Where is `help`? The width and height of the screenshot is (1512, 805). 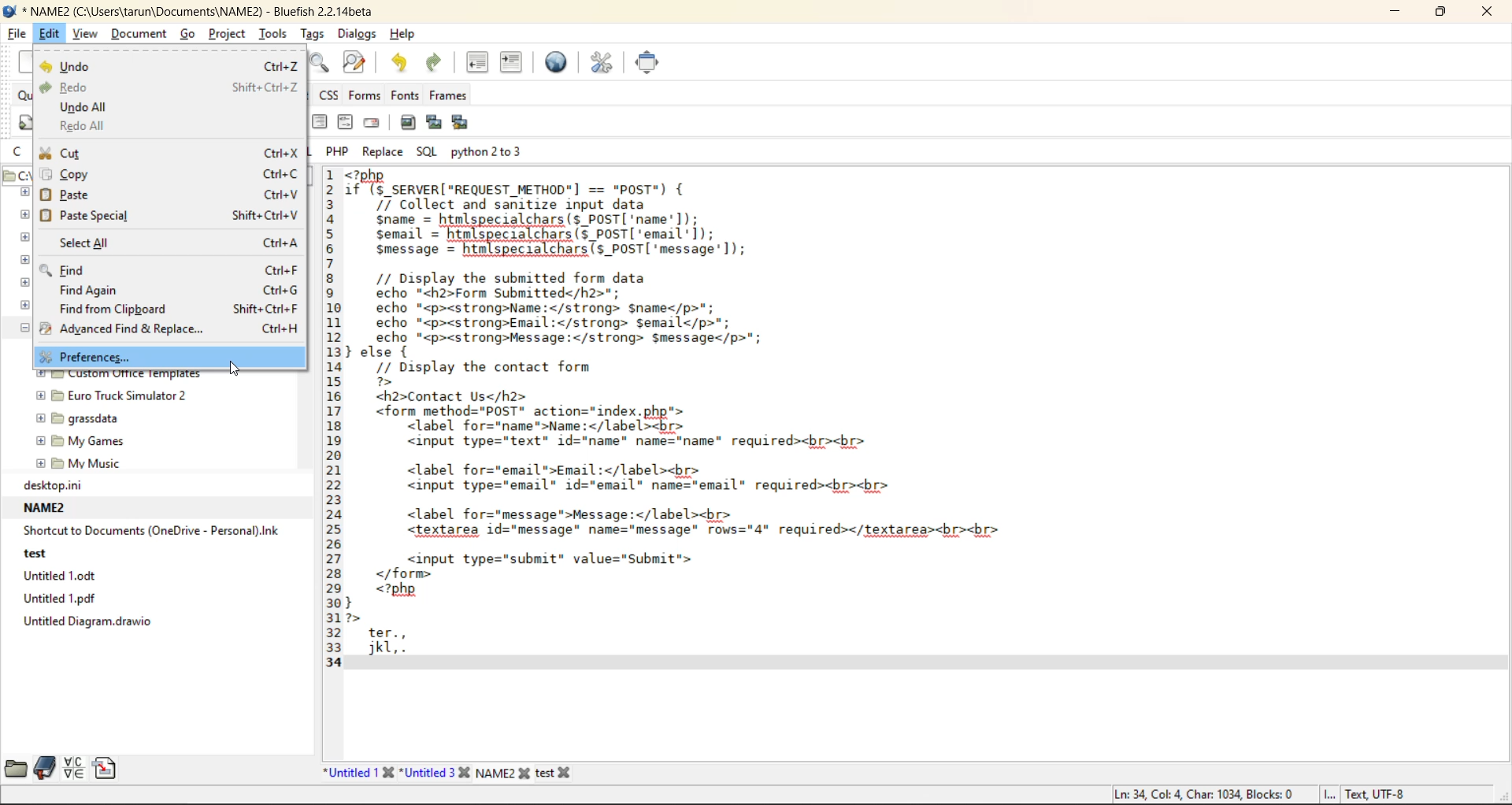 help is located at coordinates (405, 36).